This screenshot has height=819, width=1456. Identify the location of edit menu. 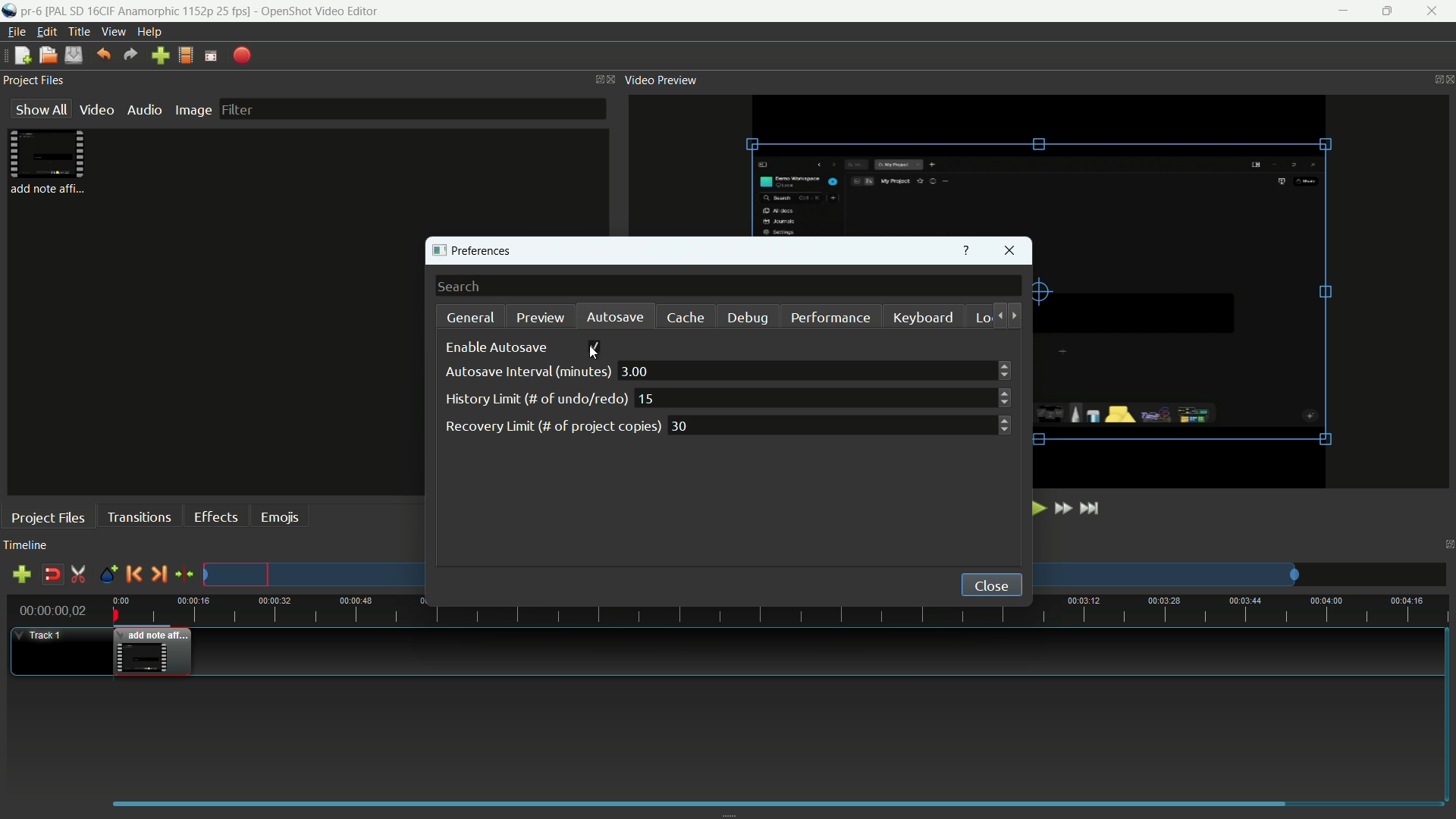
(47, 33).